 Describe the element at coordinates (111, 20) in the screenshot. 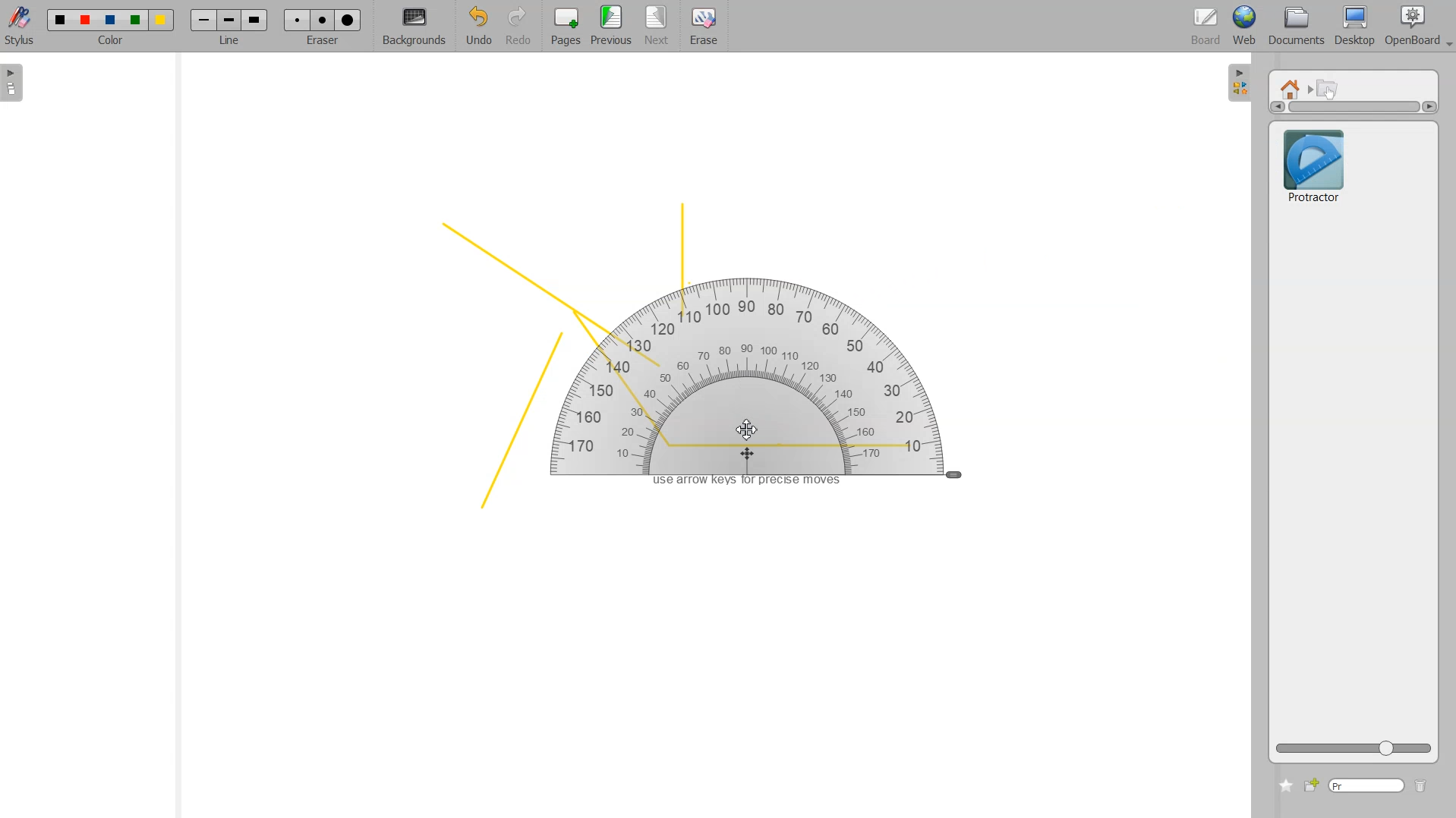

I see `Color` at that location.